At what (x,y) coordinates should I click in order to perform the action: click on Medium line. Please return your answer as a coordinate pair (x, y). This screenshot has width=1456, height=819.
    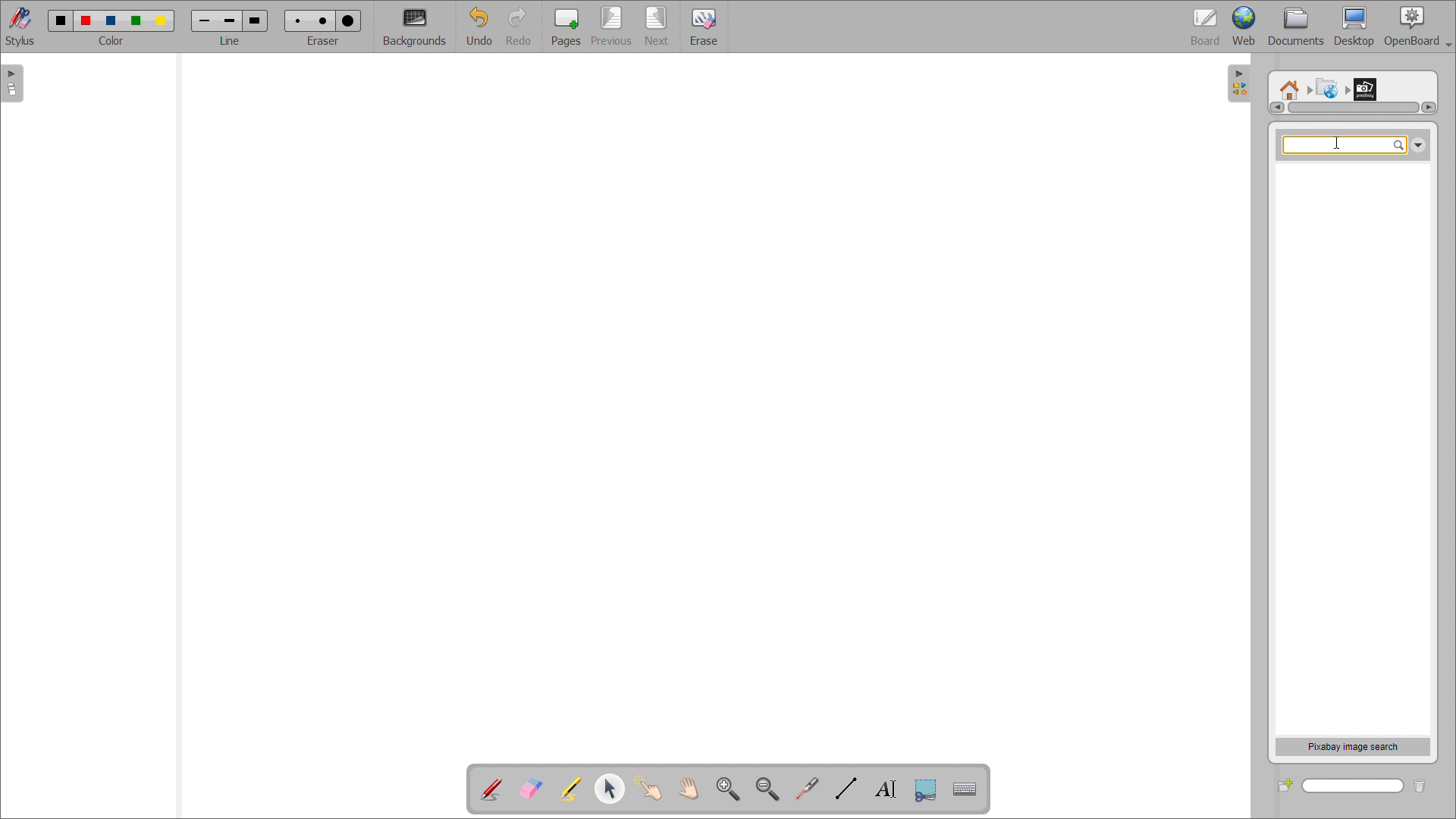
    Looking at the image, I should click on (231, 20).